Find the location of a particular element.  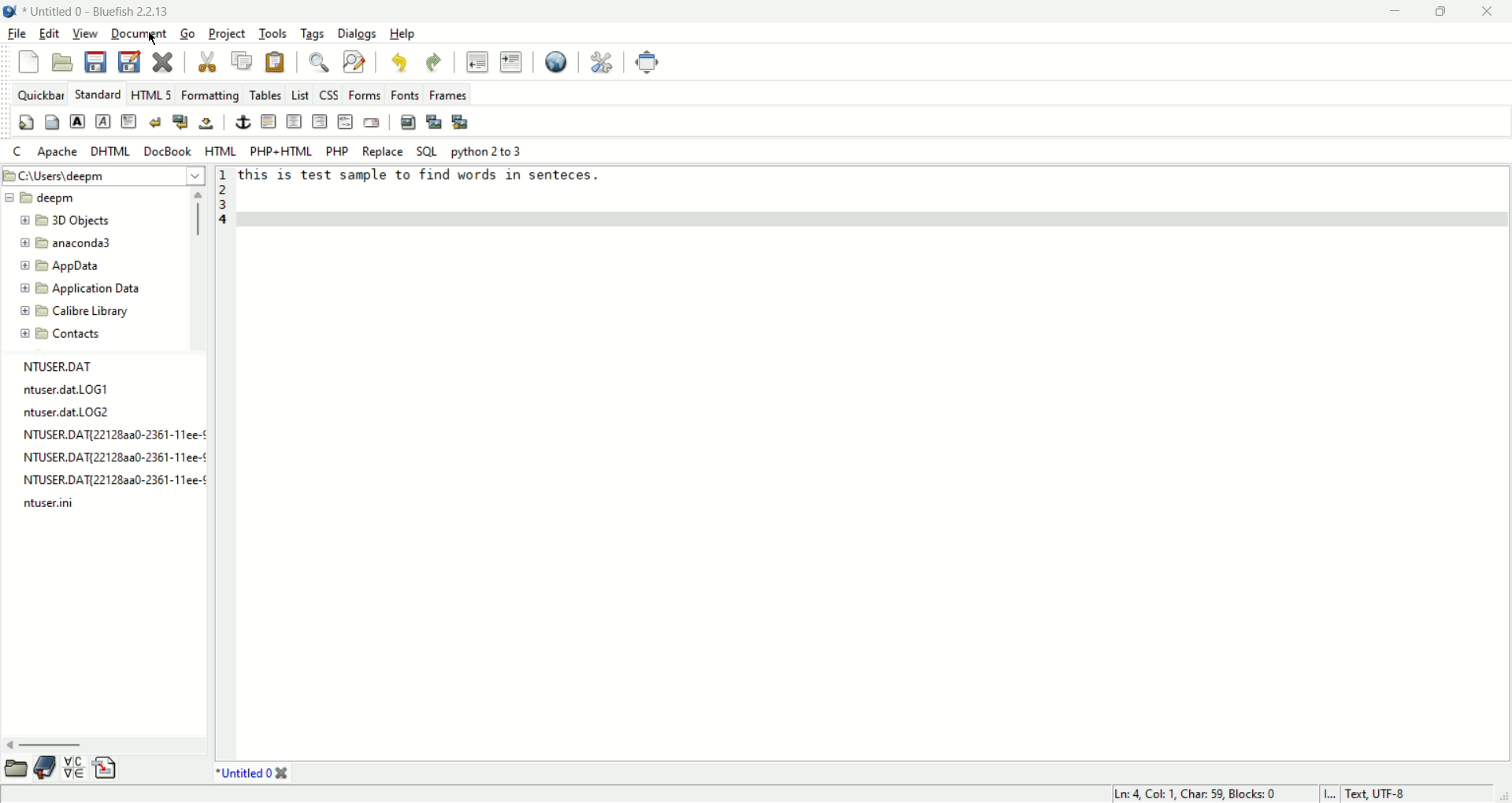

HTML is located at coordinates (220, 150).